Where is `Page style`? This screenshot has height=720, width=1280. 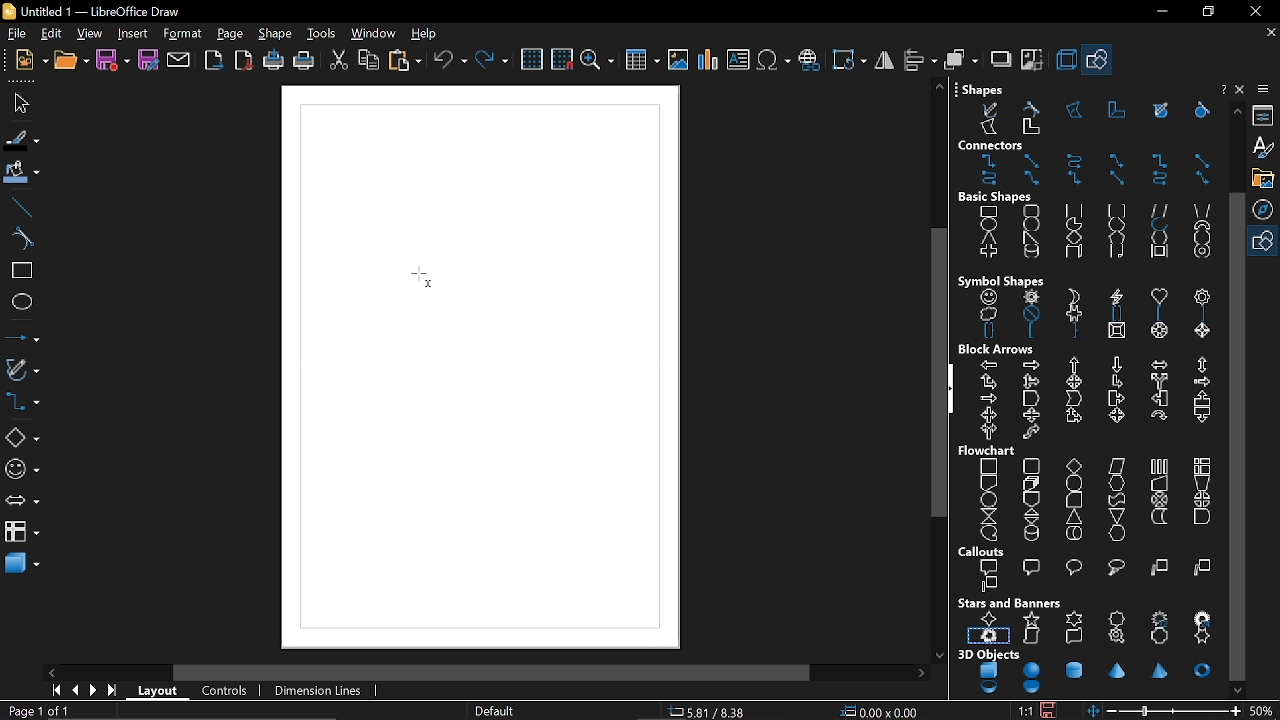 Page style is located at coordinates (496, 710).